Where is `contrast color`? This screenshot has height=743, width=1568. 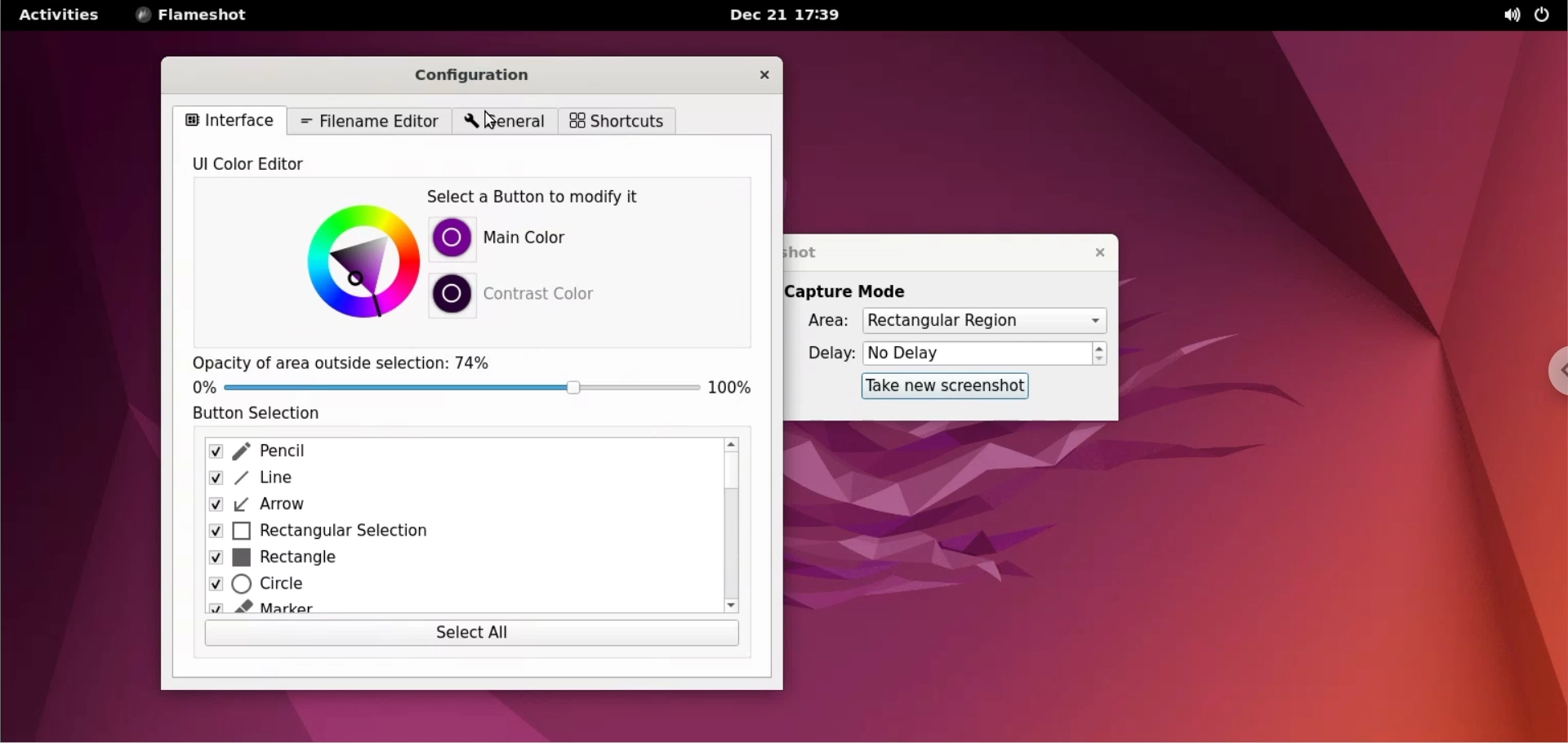 contrast color is located at coordinates (556, 296).